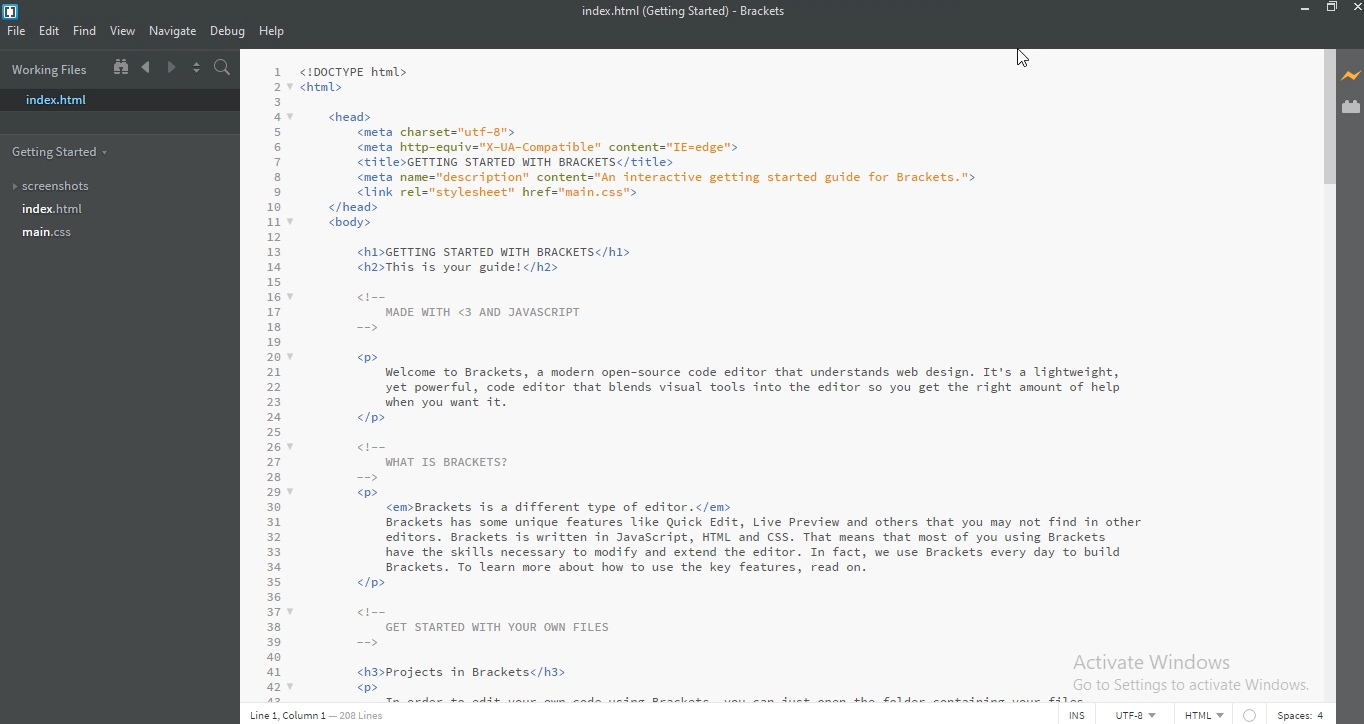 The image size is (1364, 724). What do you see at coordinates (49, 34) in the screenshot?
I see `Edit` at bounding box center [49, 34].